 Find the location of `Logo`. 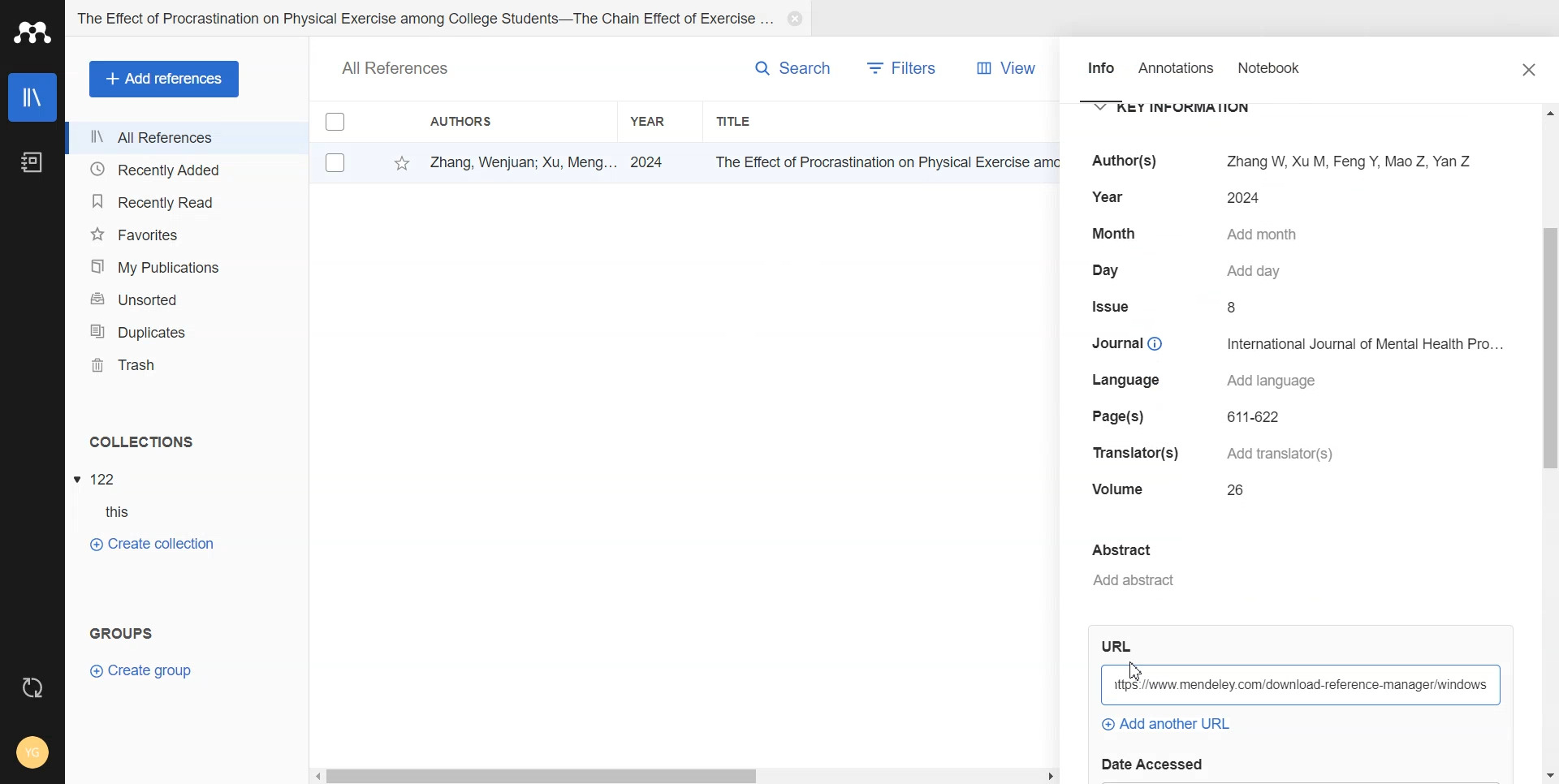

Logo is located at coordinates (34, 33).